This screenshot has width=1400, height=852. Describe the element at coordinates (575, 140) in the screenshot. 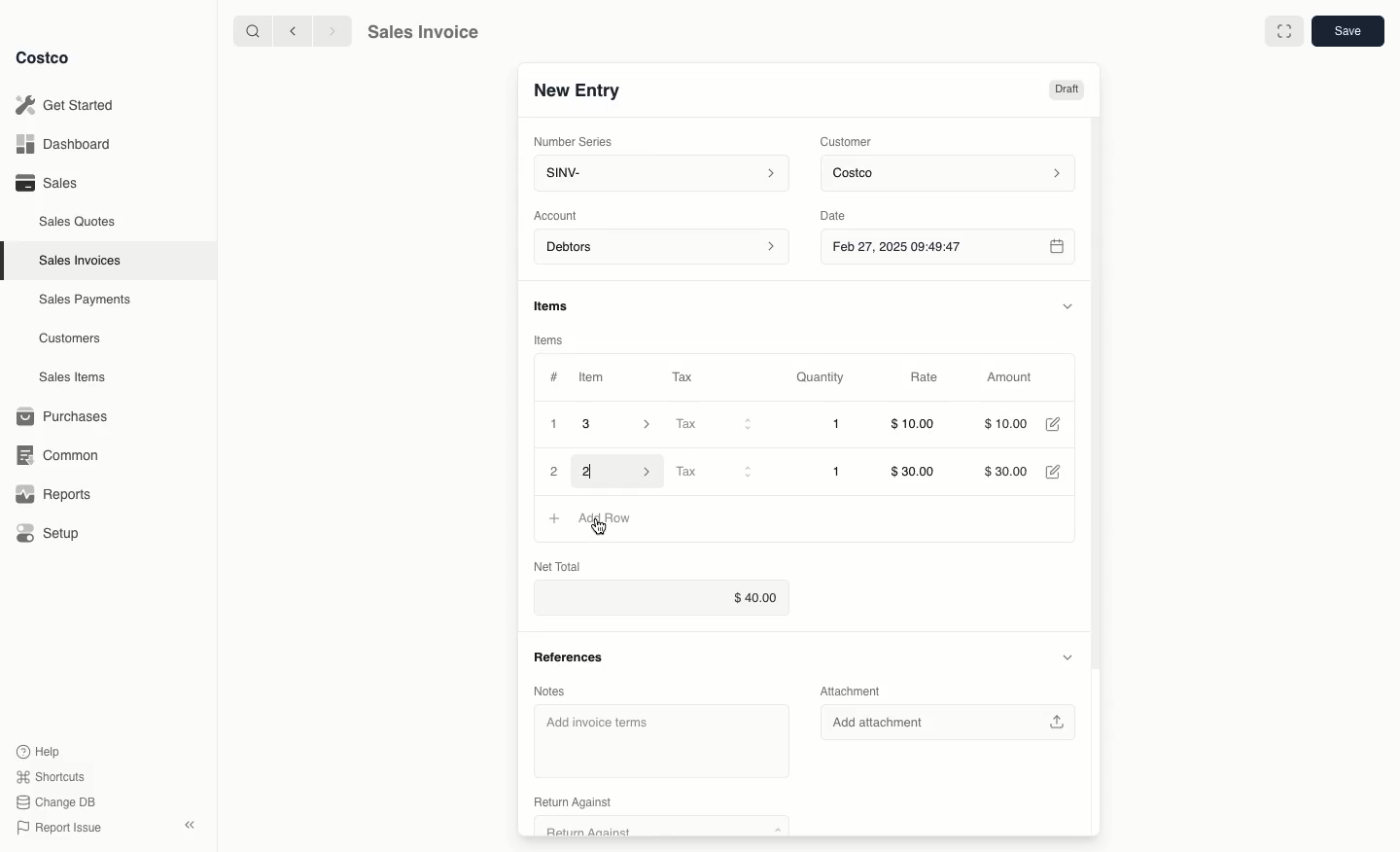

I see `Number Series` at that location.